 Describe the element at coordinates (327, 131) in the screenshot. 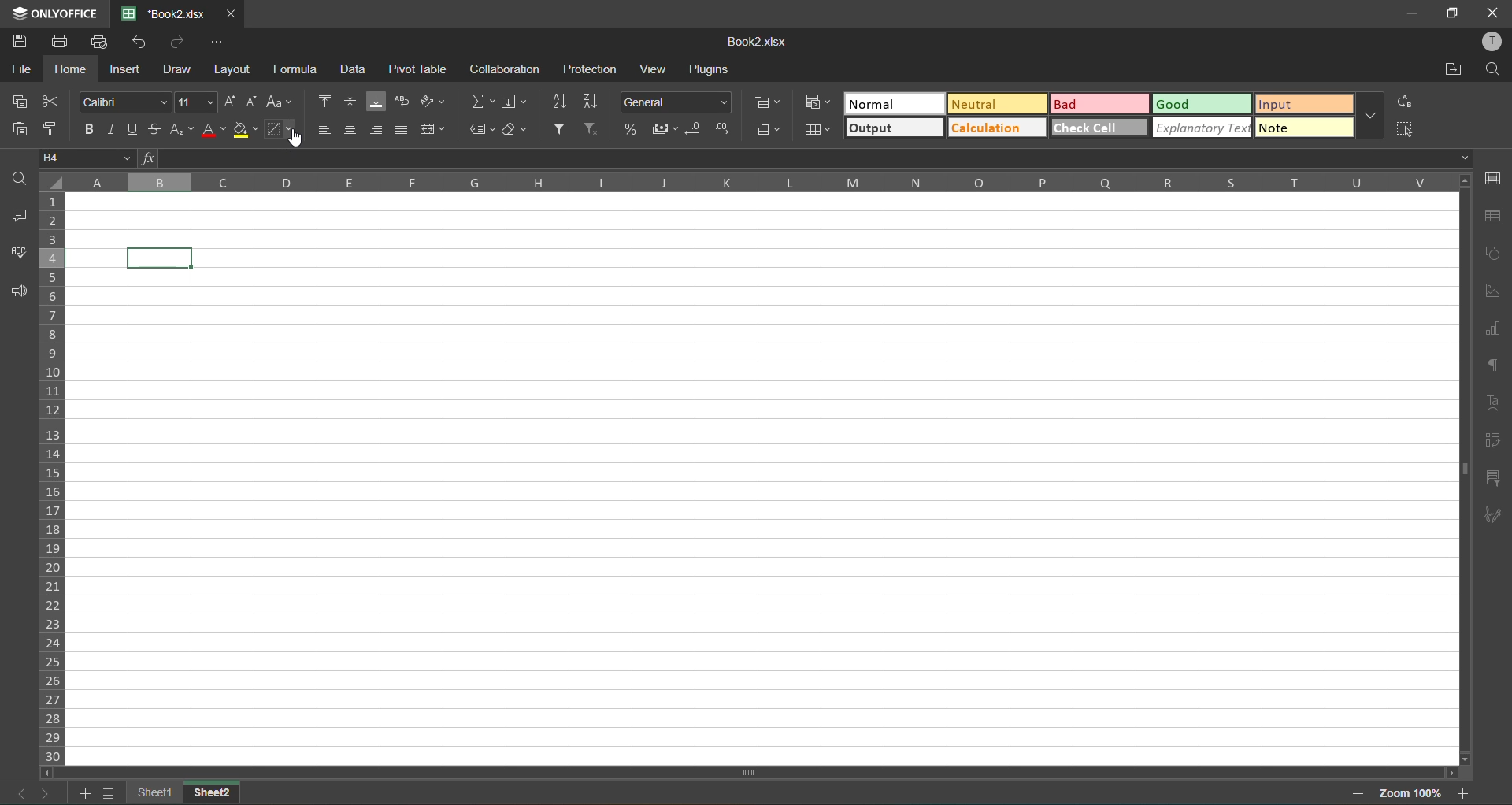

I see `align left` at that location.